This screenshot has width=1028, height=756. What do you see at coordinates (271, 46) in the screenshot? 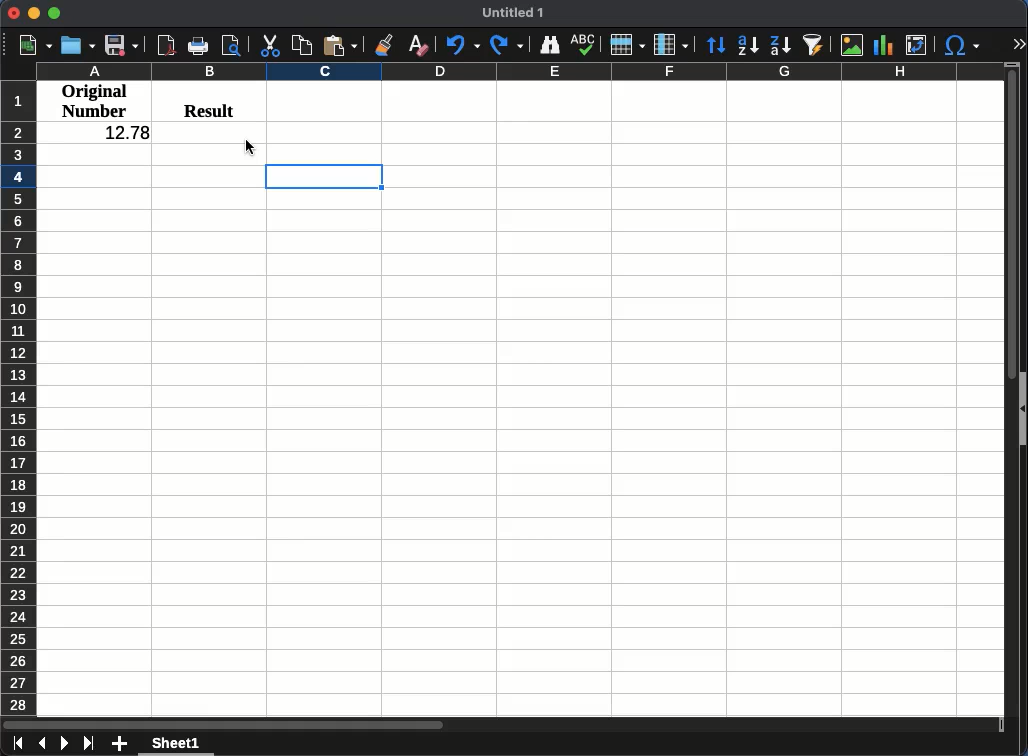
I see `cut` at bounding box center [271, 46].